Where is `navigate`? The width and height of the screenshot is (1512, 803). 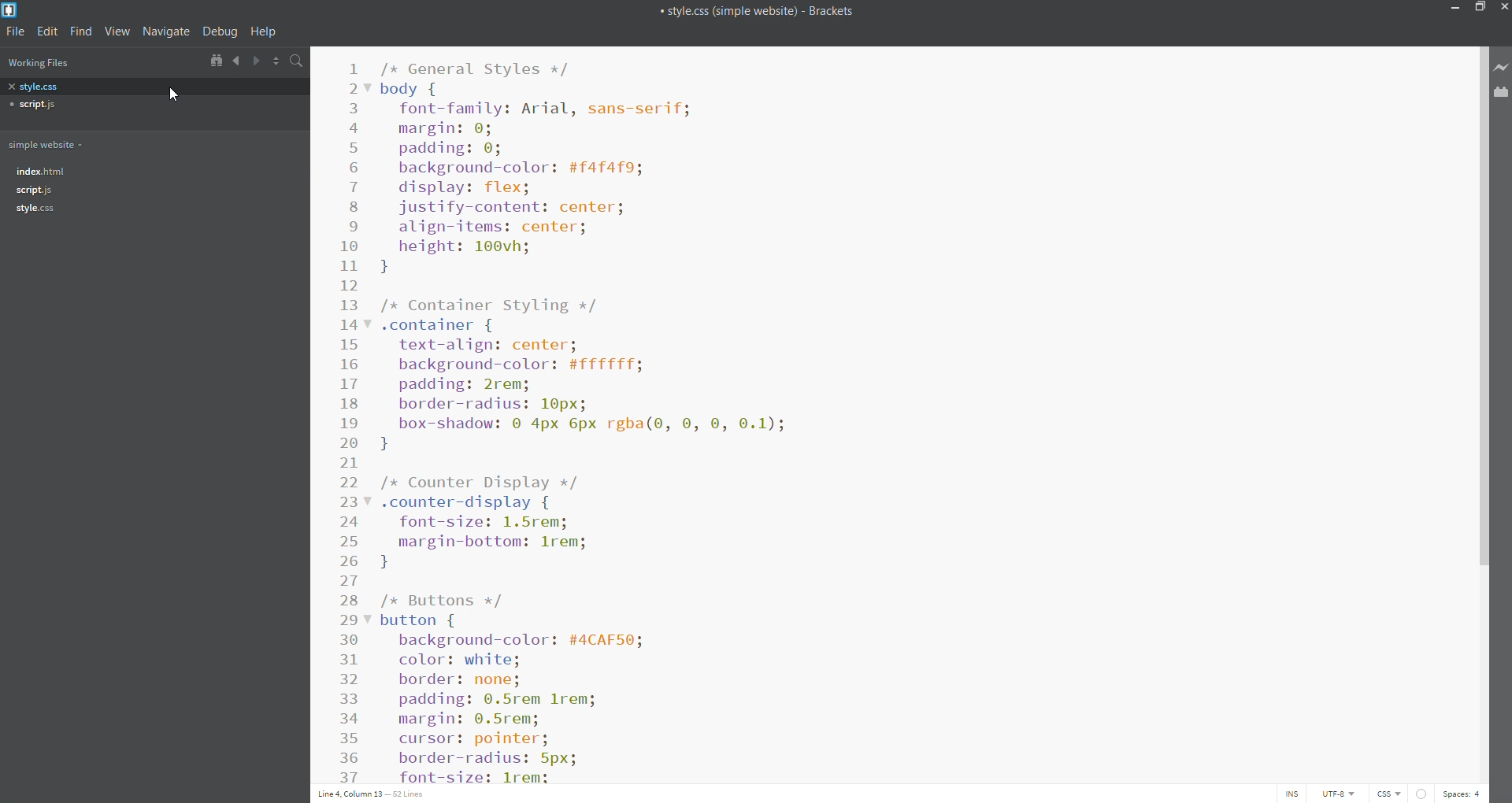 navigate is located at coordinates (165, 31).